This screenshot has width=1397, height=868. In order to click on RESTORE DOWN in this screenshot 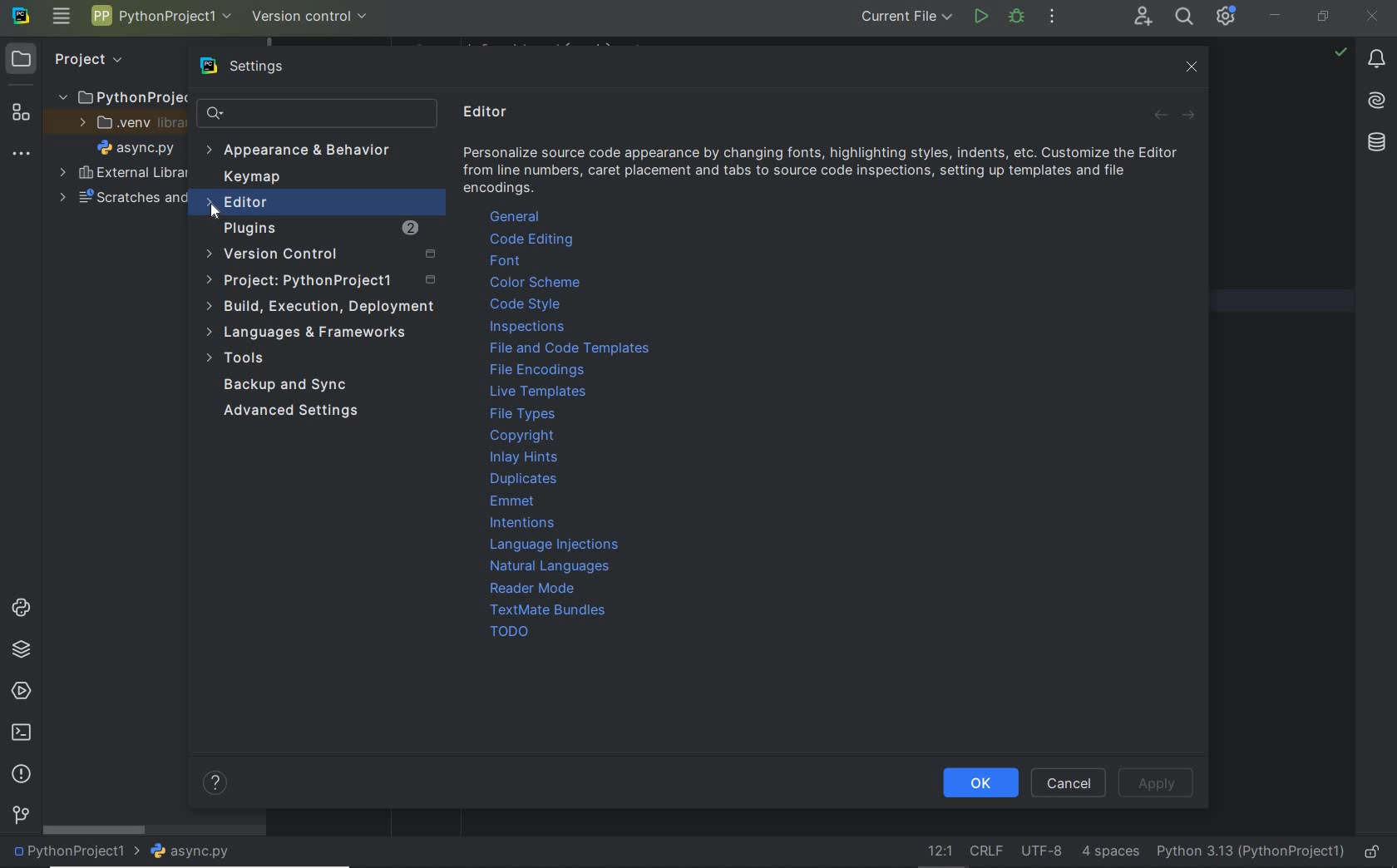, I will do `click(1323, 18)`.